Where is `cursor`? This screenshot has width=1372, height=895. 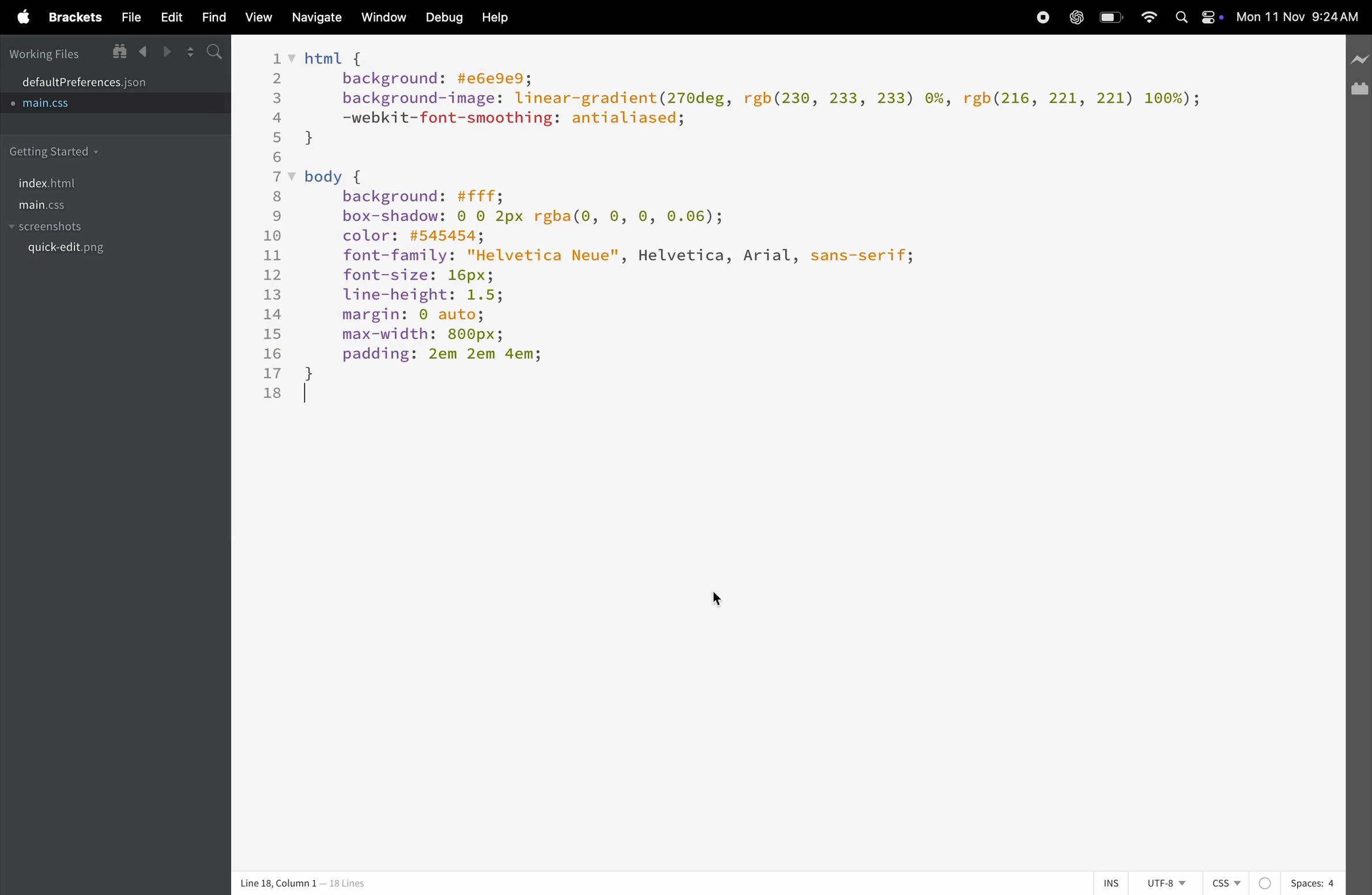
cursor is located at coordinates (720, 596).